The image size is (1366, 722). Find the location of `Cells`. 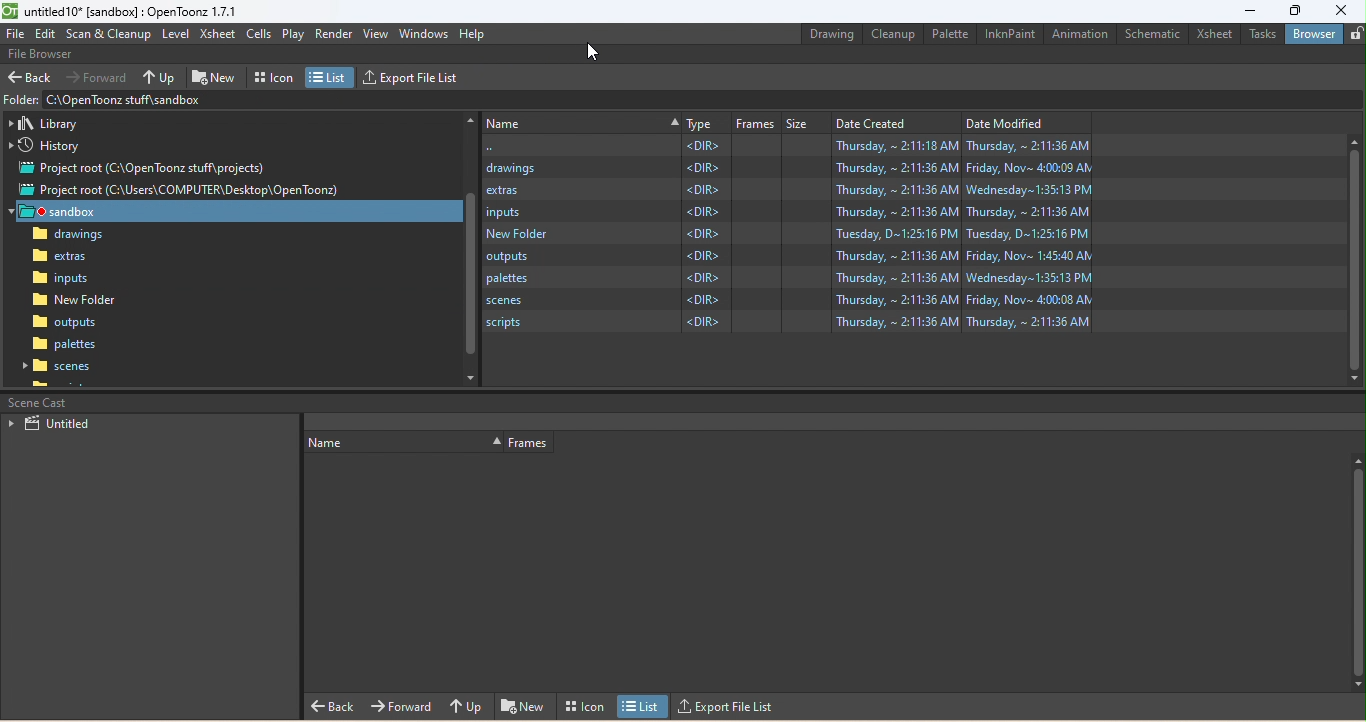

Cells is located at coordinates (259, 33).